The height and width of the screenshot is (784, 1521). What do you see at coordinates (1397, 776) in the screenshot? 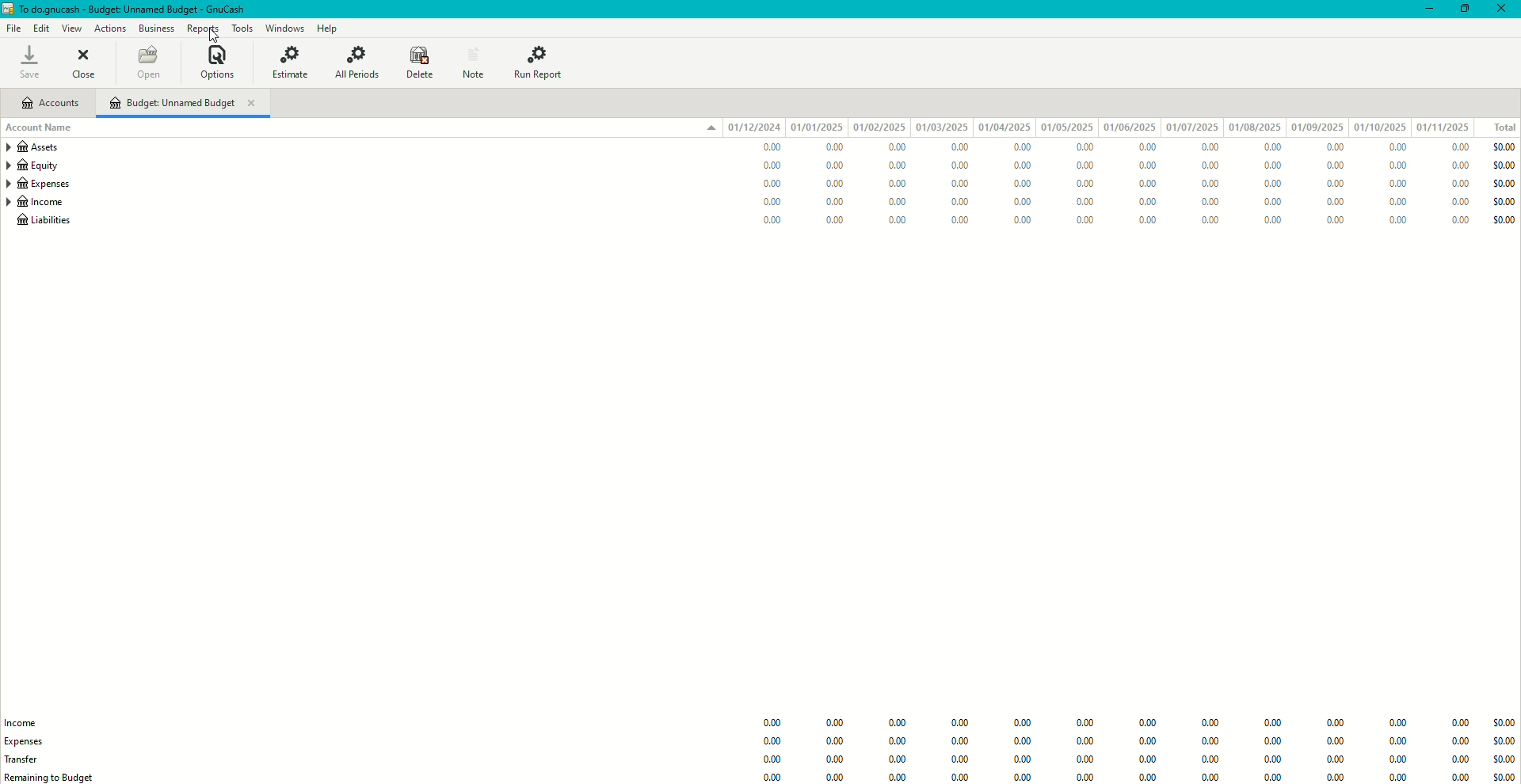
I see `0.00` at bounding box center [1397, 776].